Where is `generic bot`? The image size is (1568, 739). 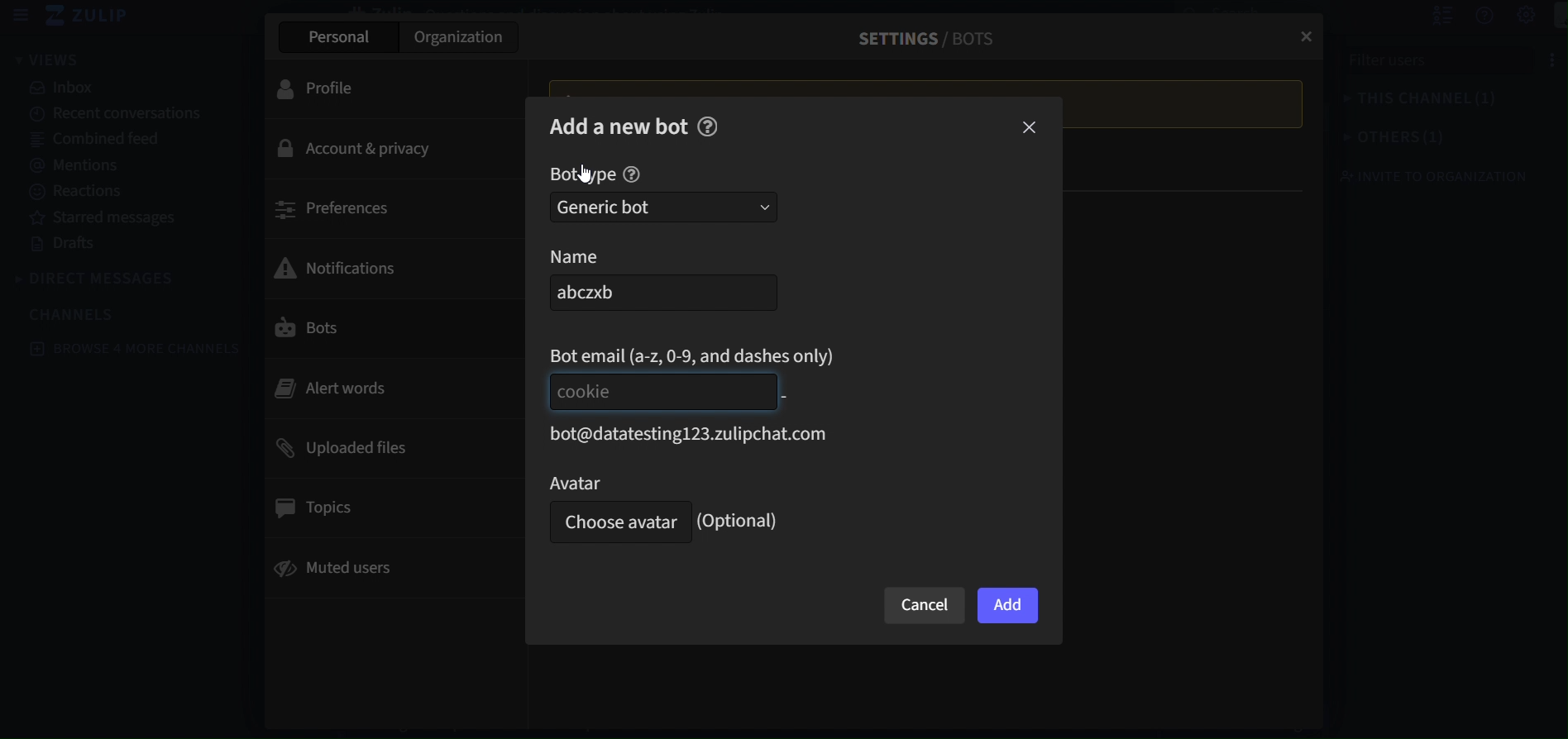
generic bot is located at coordinates (663, 207).